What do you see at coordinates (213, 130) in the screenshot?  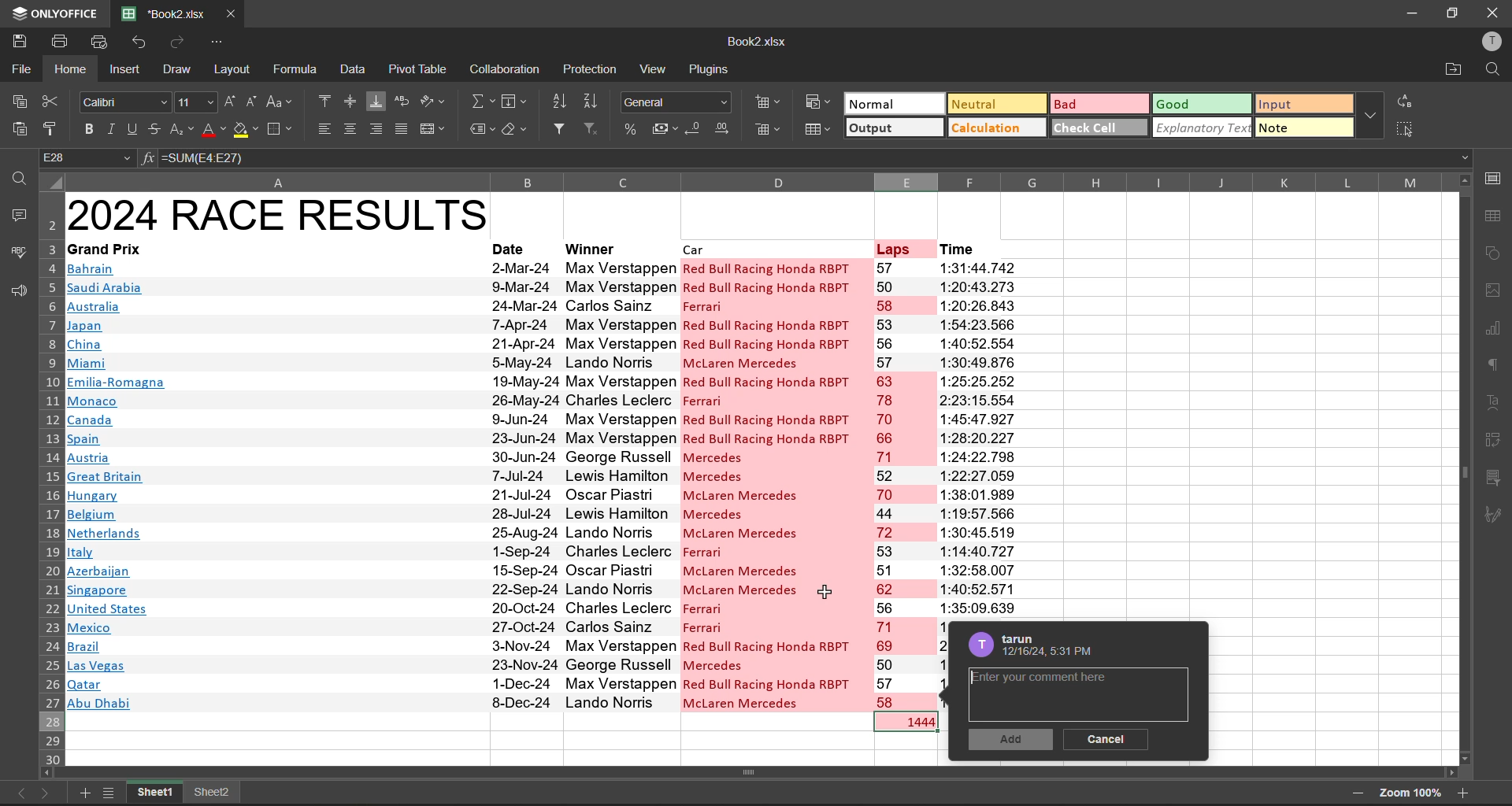 I see `font color` at bounding box center [213, 130].